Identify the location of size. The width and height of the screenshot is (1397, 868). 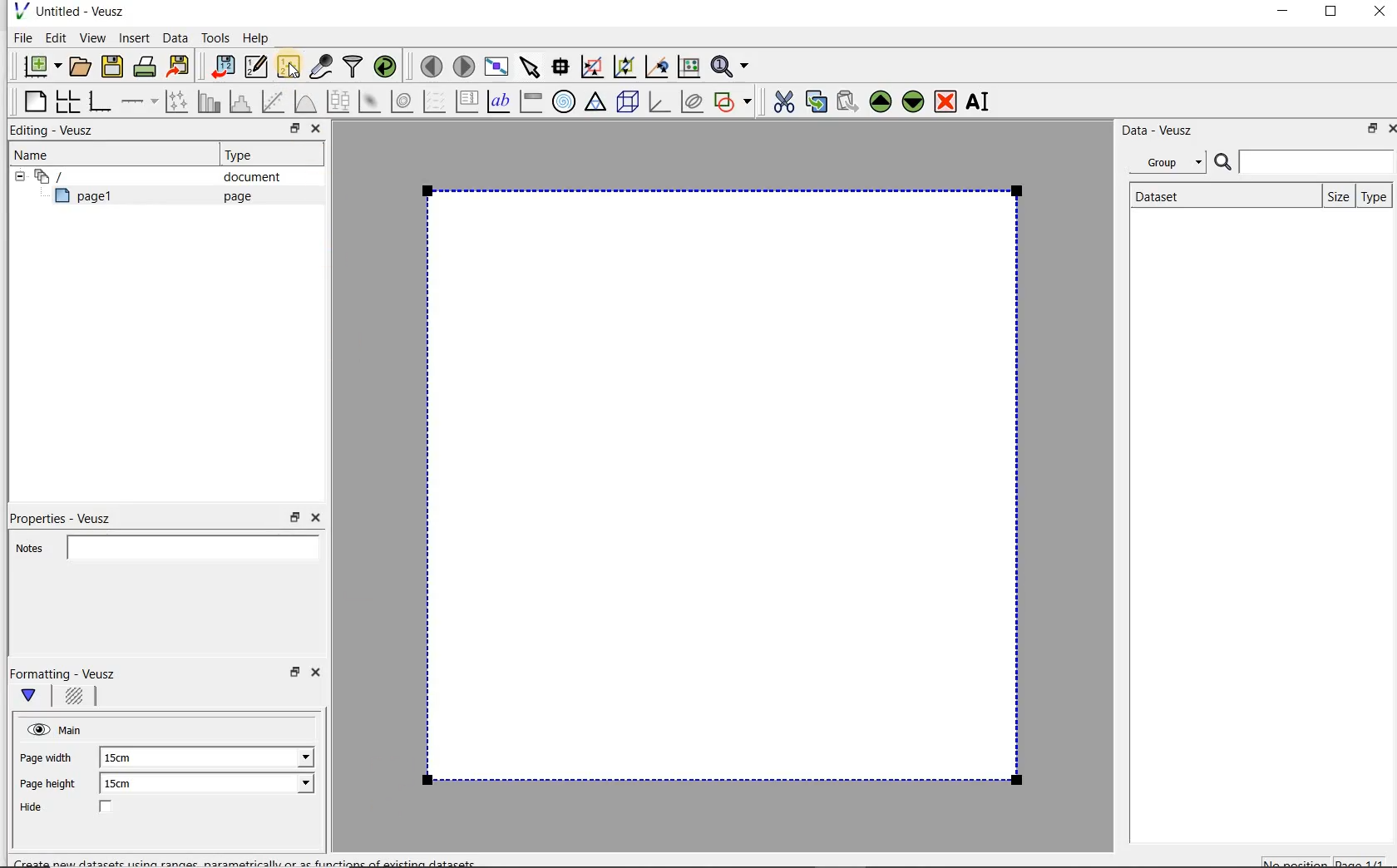
(1335, 195).